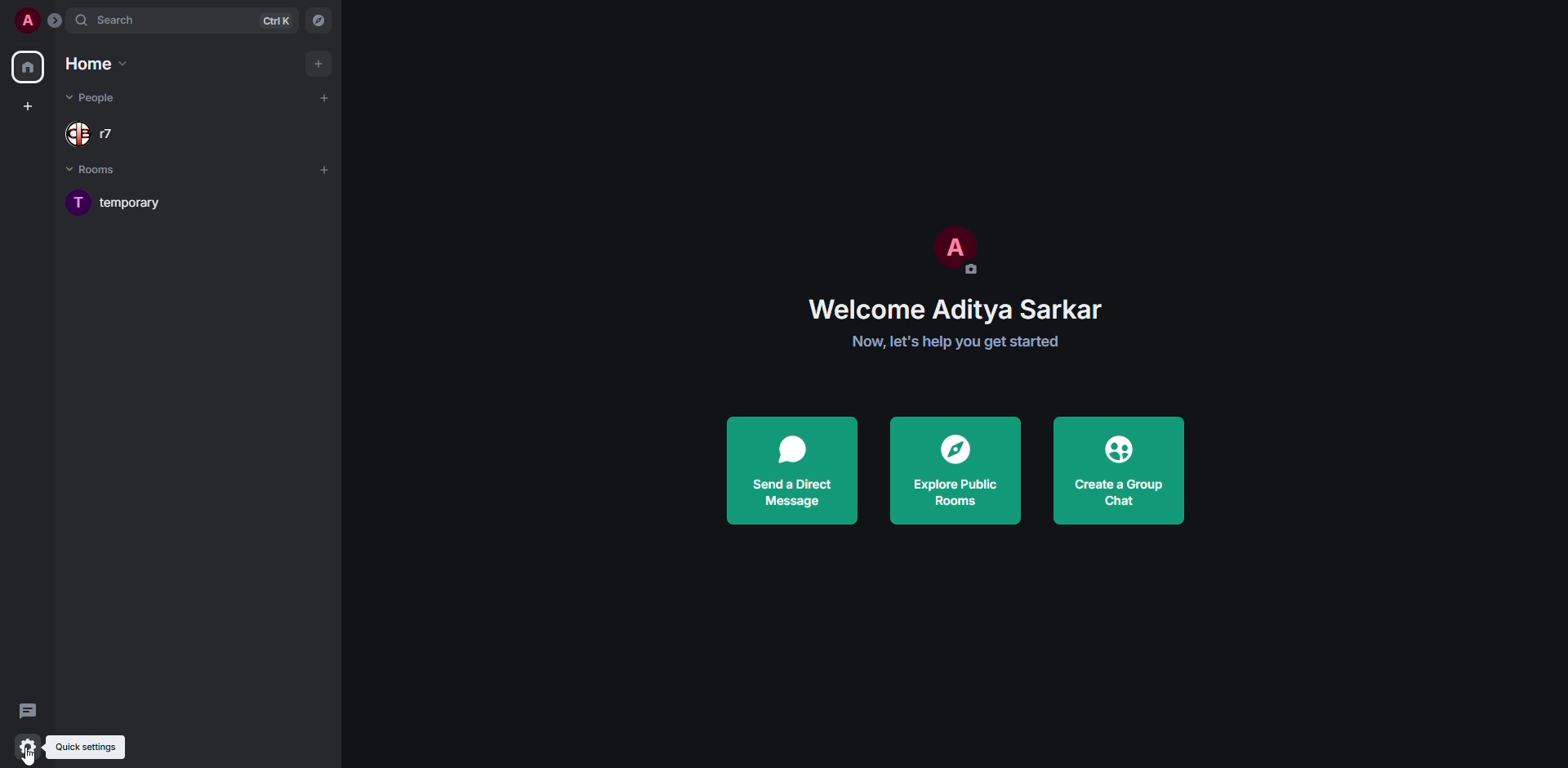 Image resolution: width=1568 pixels, height=768 pixels. I want to click on room, so click(133, 202).